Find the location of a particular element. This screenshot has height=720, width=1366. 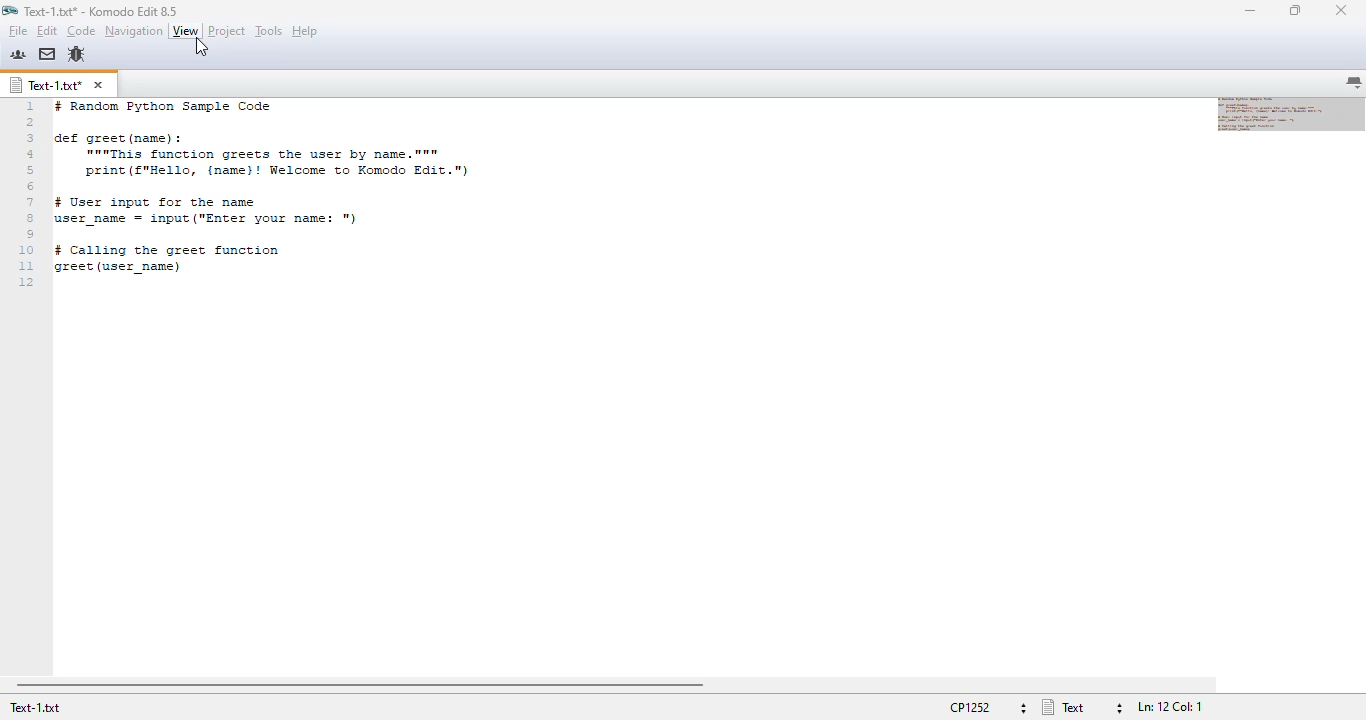

title - Text-1.txt- Komodo Edit 8.5 is located at coordinates (102, 10).